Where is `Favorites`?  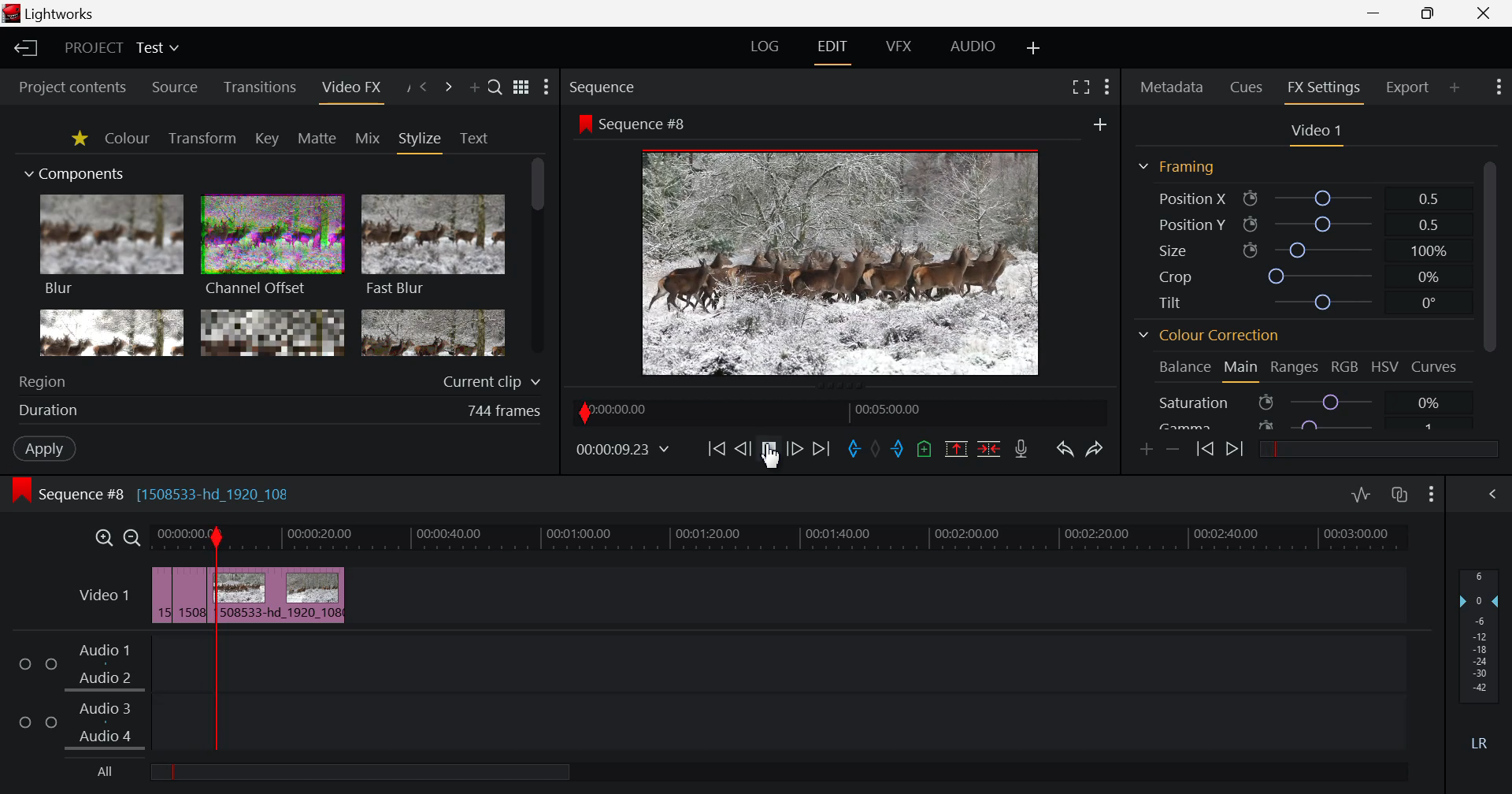 Favorites is located at coordinates (77, 139).